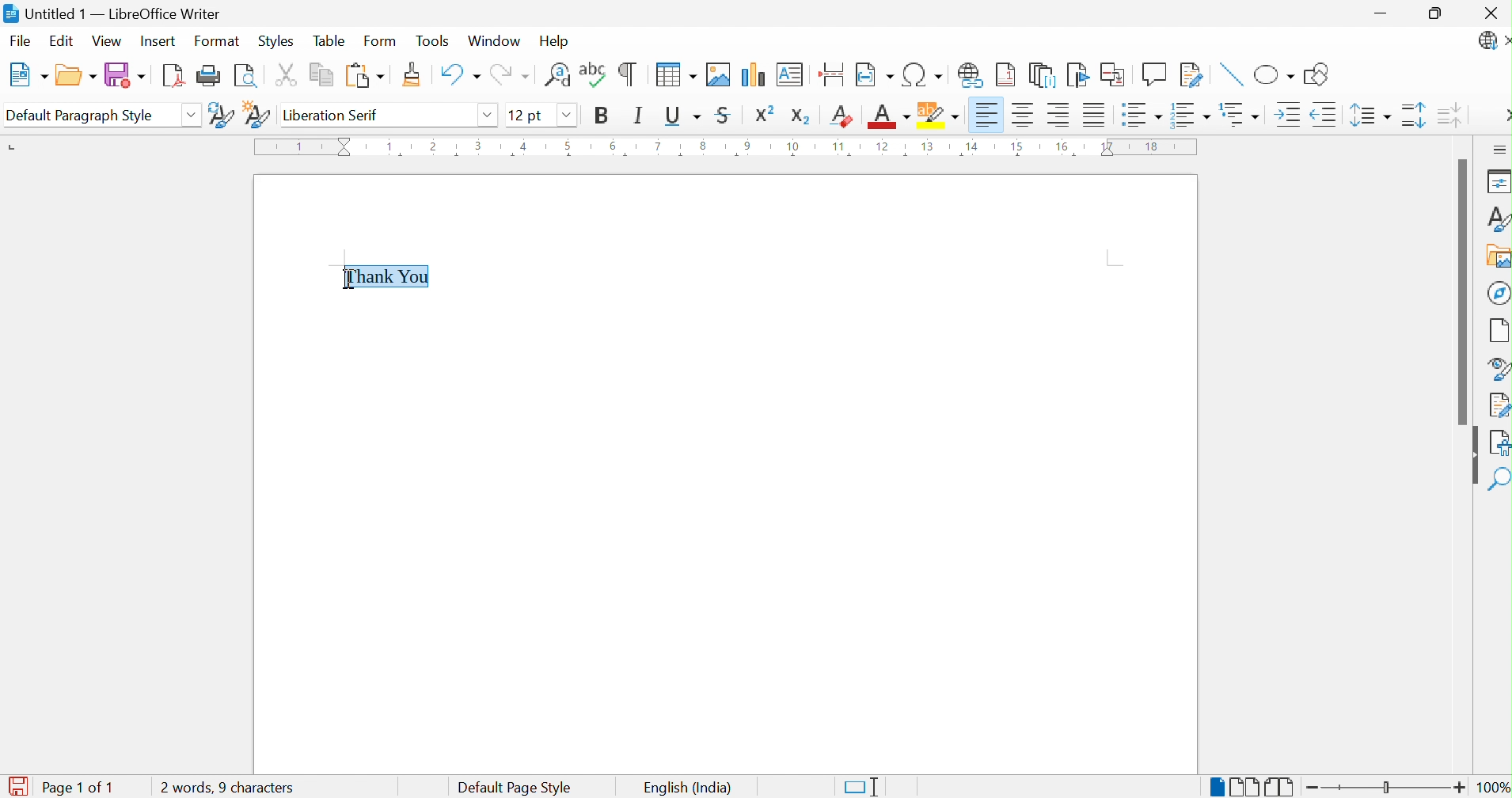 This screenshot has height=798, width=1512. What do you see at coordinates (319, 74) in the screenshot?
I see `Copy` at bounding box center [319, 74].